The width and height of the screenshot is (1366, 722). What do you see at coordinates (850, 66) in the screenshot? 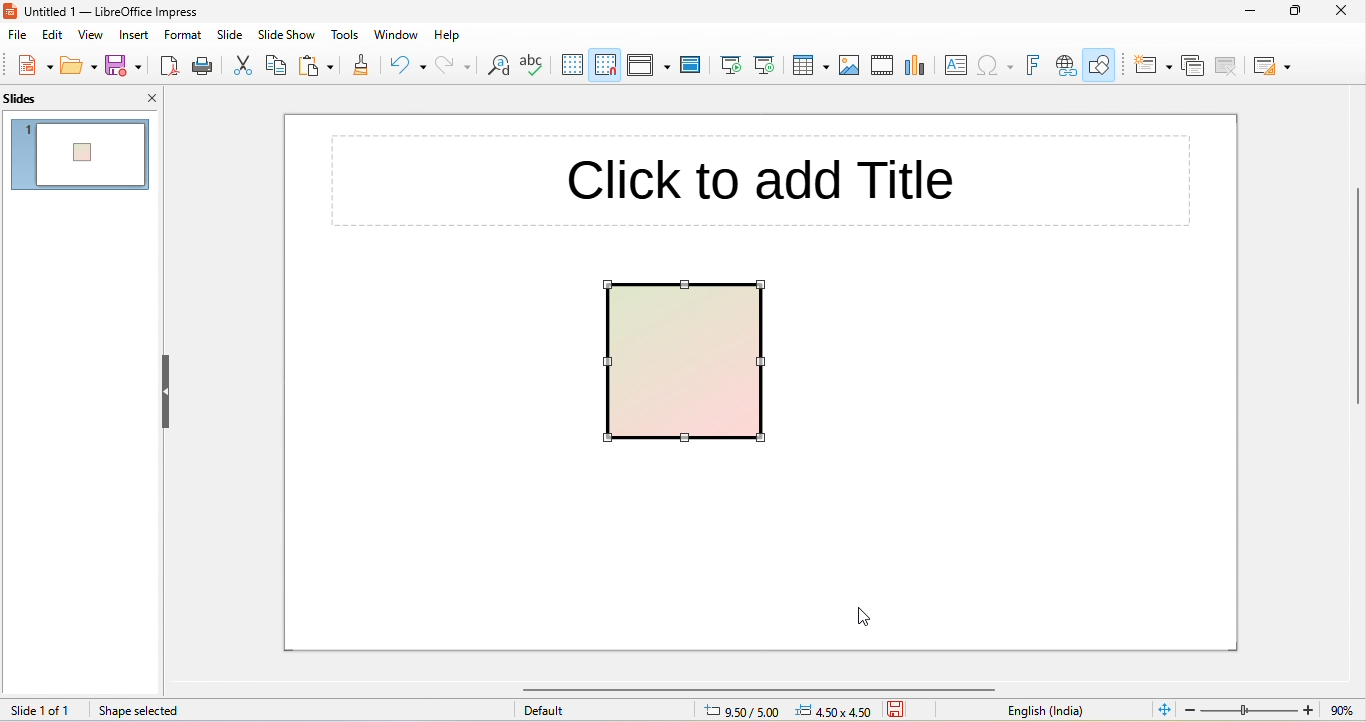
I see `image` at bounding box center [850, 66].